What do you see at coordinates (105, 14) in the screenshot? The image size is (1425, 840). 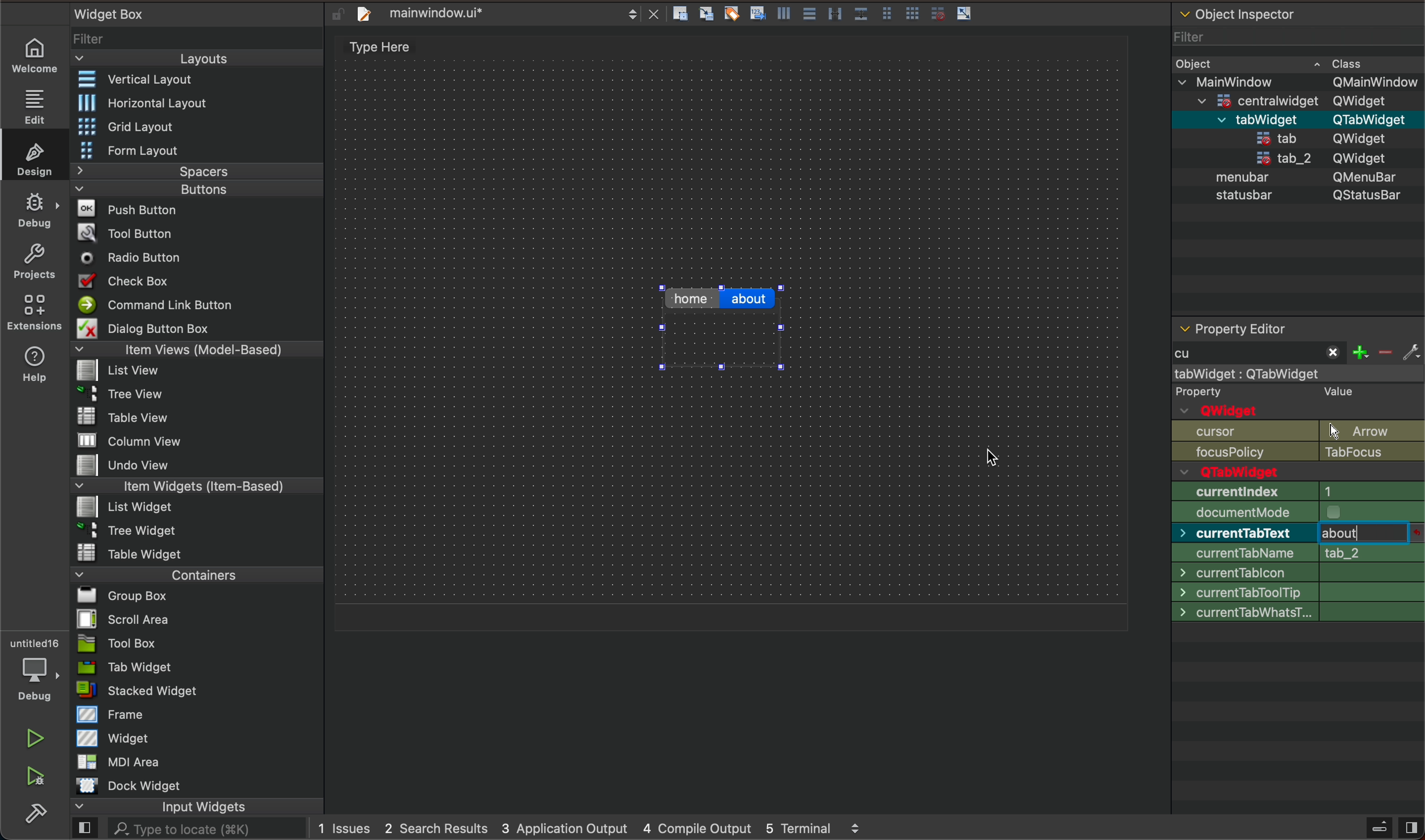 I see `Widget Box` at bounding box center [105, 14].